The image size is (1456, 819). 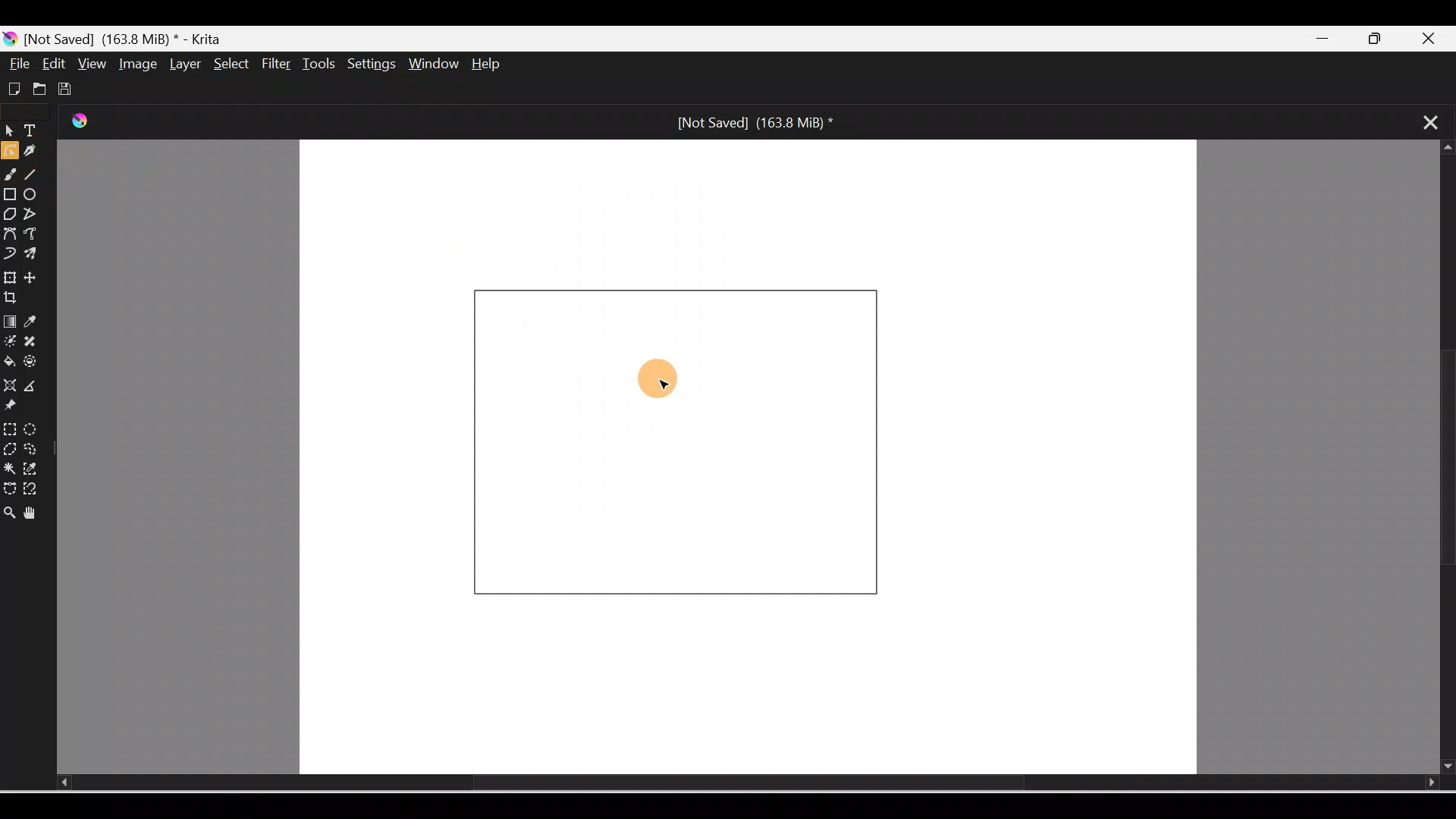 I want to click on Tools, so click(x=322, y=64).